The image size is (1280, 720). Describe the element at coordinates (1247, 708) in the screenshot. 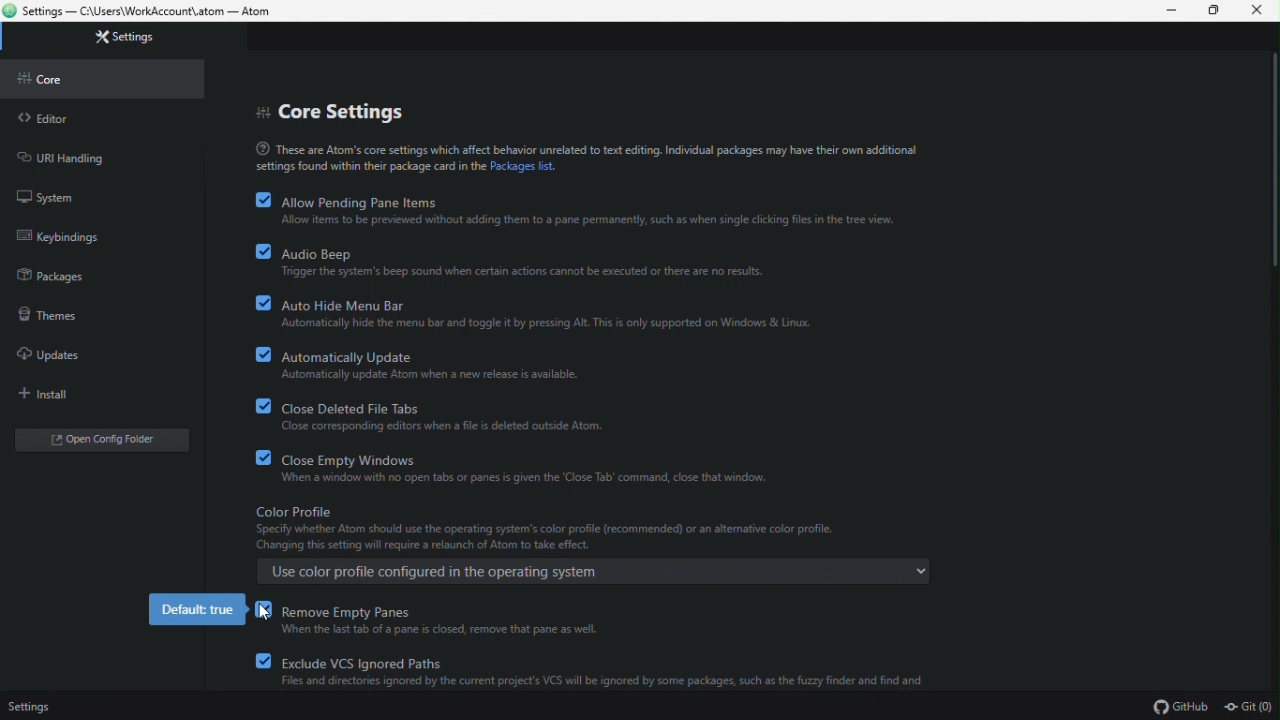

I see `Git (0)` at that location.